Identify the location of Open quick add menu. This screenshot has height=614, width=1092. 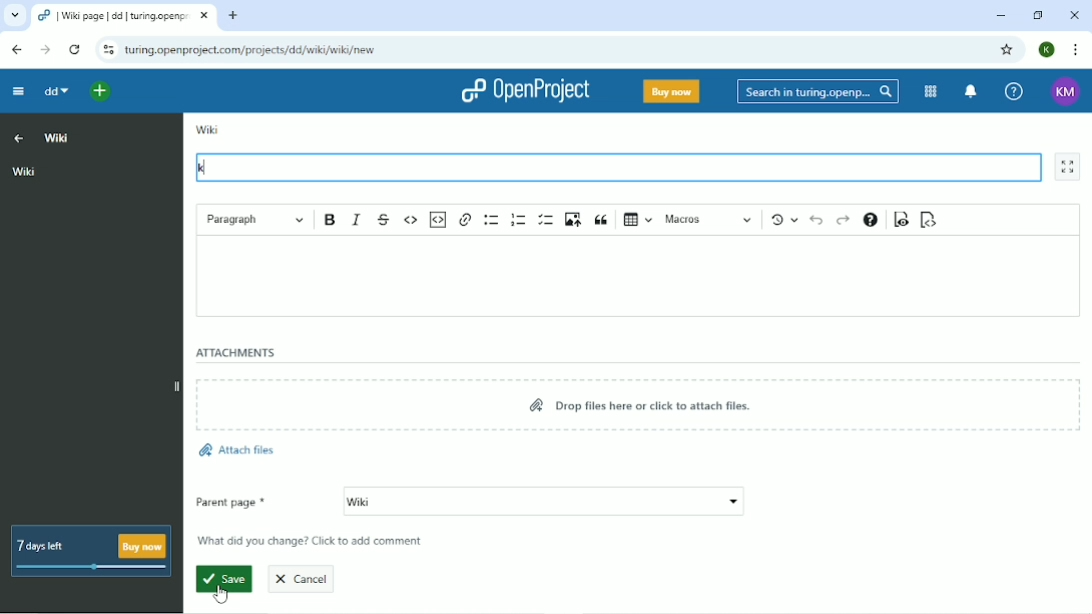
(101, 93).